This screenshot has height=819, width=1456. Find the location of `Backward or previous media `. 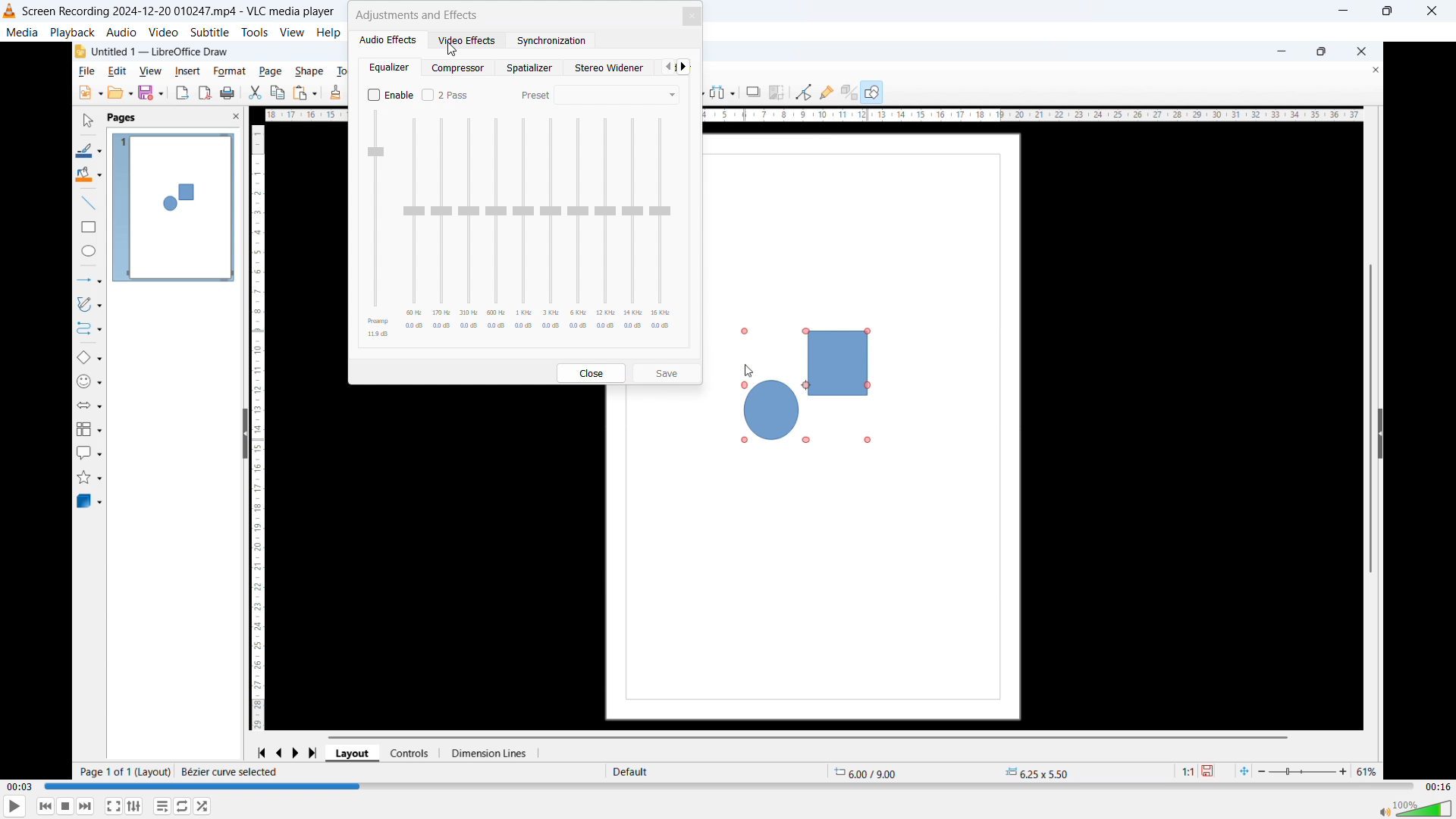

Backward or previous media  is located at coordinates (44, 806).